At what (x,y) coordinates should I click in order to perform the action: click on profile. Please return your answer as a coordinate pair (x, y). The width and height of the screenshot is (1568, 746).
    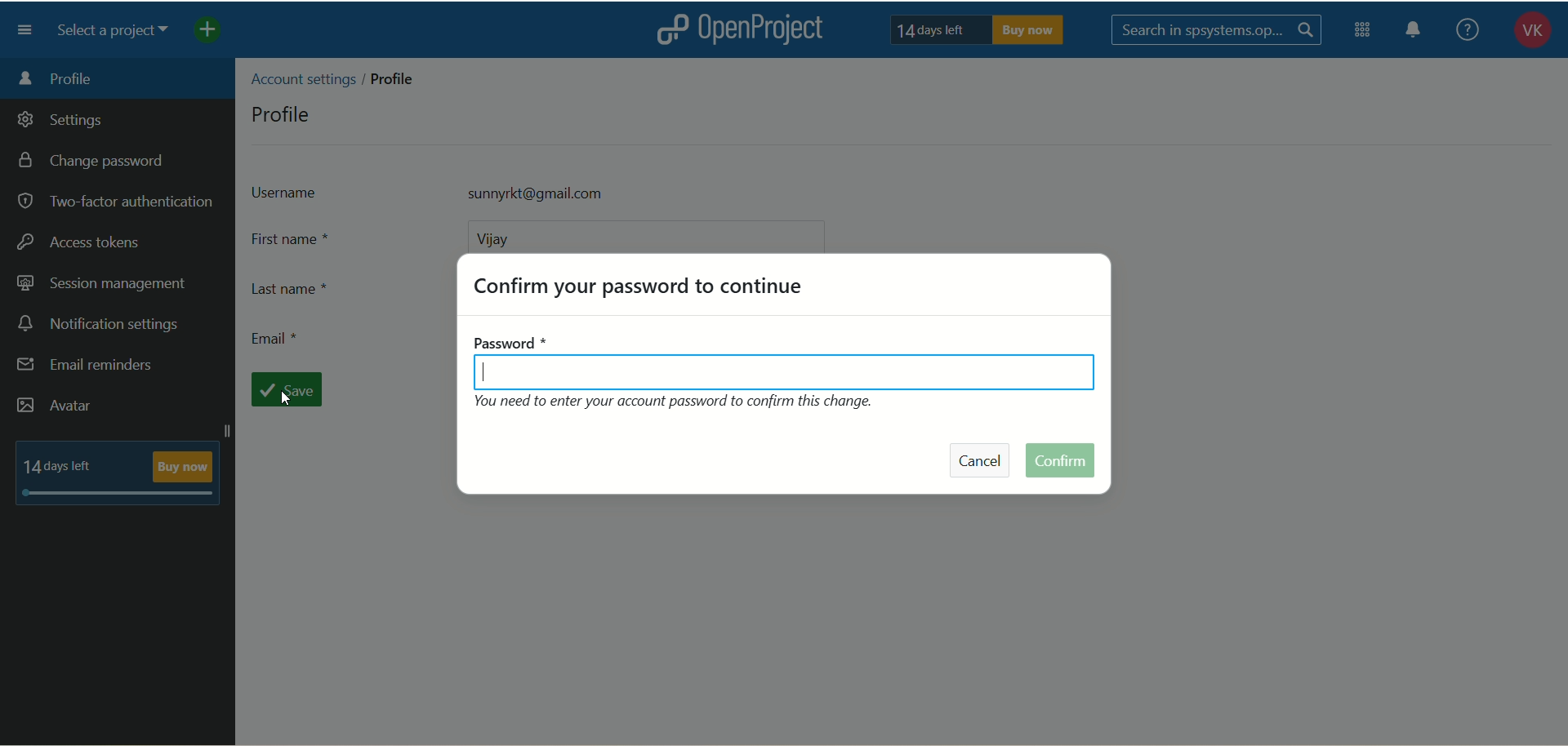
    Looking at the image, I should click on (283, 113).